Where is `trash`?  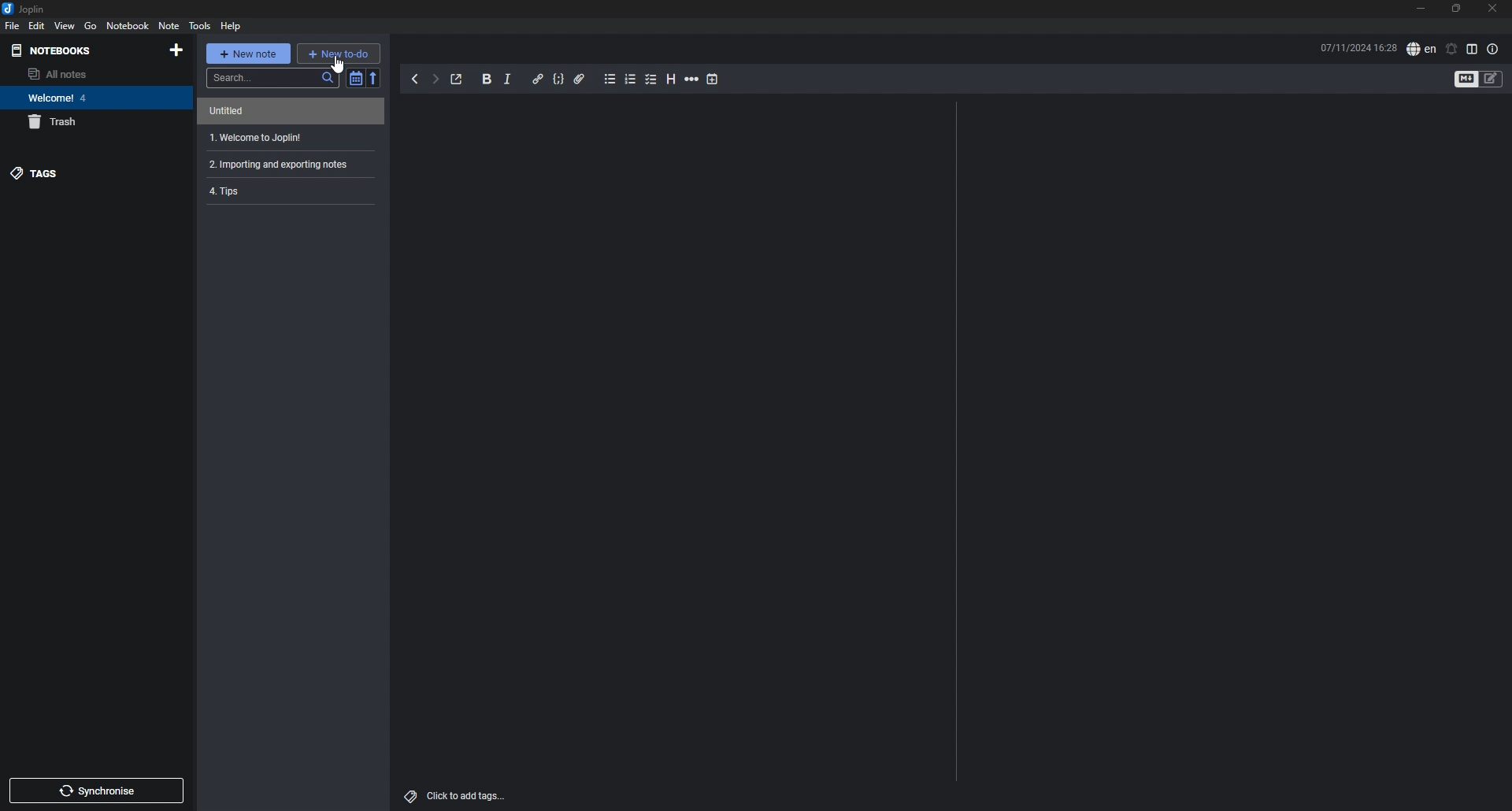 trash is located at coordinates (87, 122).